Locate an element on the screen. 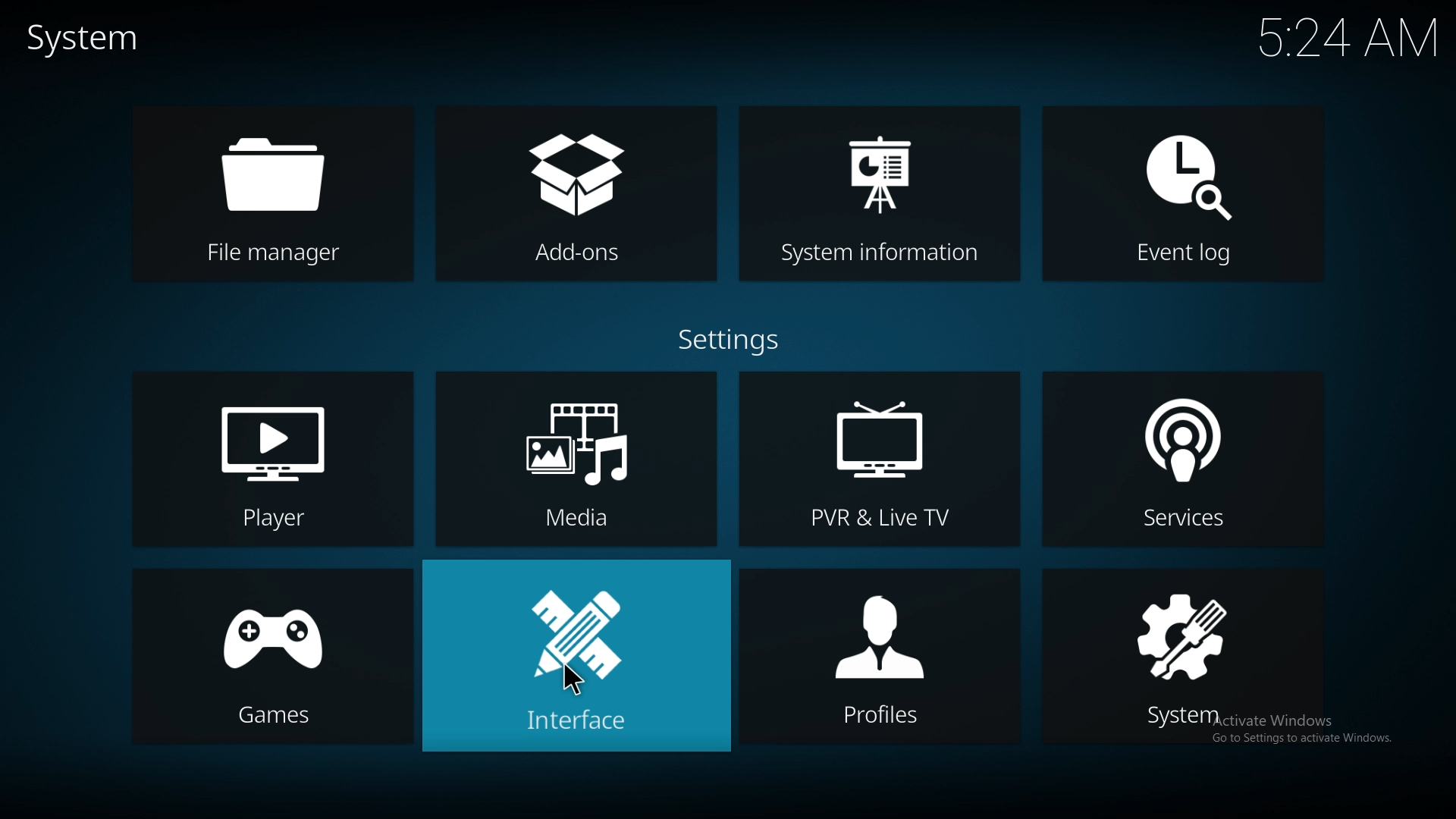 The height and width of the screenshot is (819, 1456). media is located at coordinates (578, 457).